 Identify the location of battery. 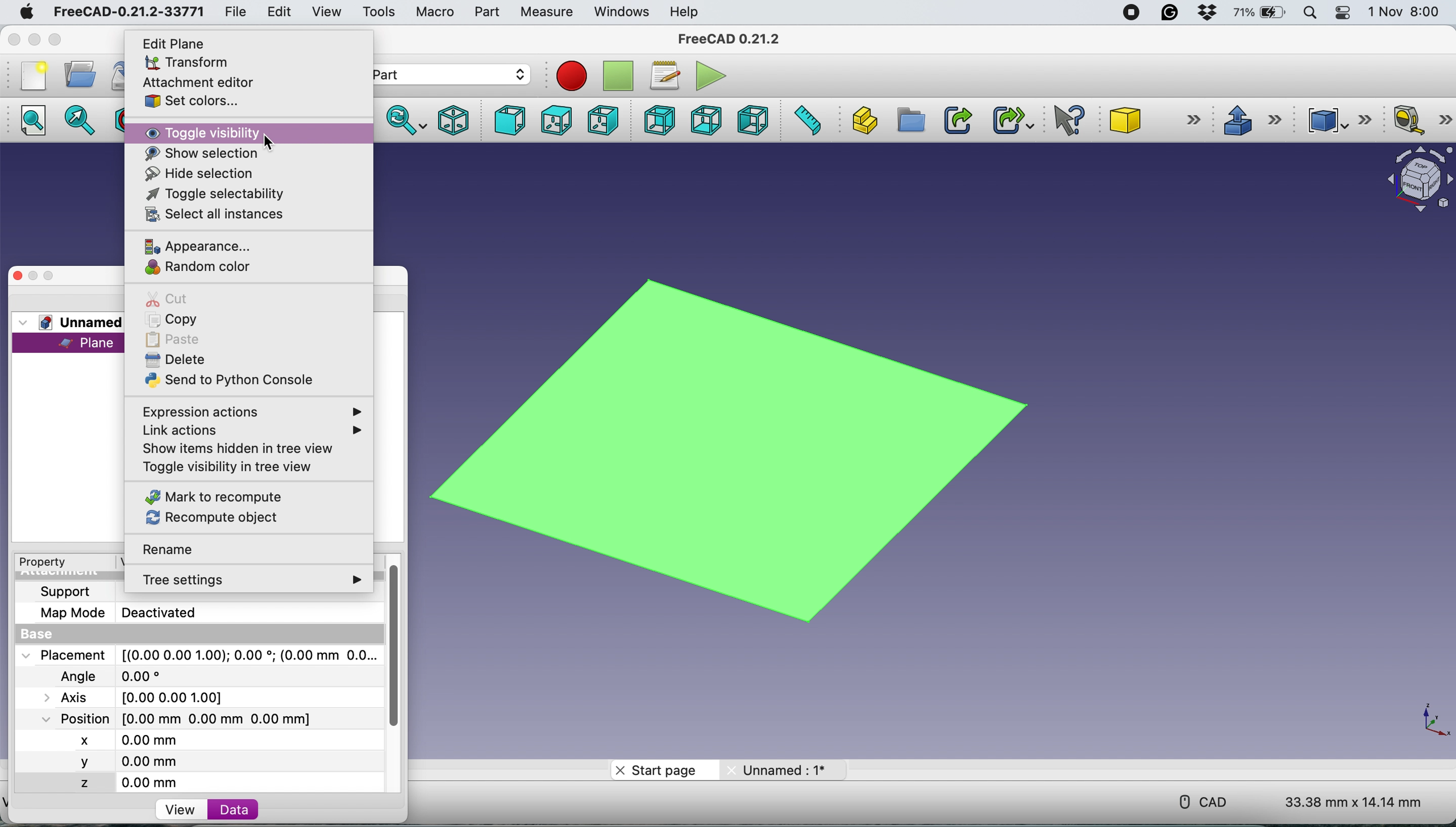
(1262, 13).